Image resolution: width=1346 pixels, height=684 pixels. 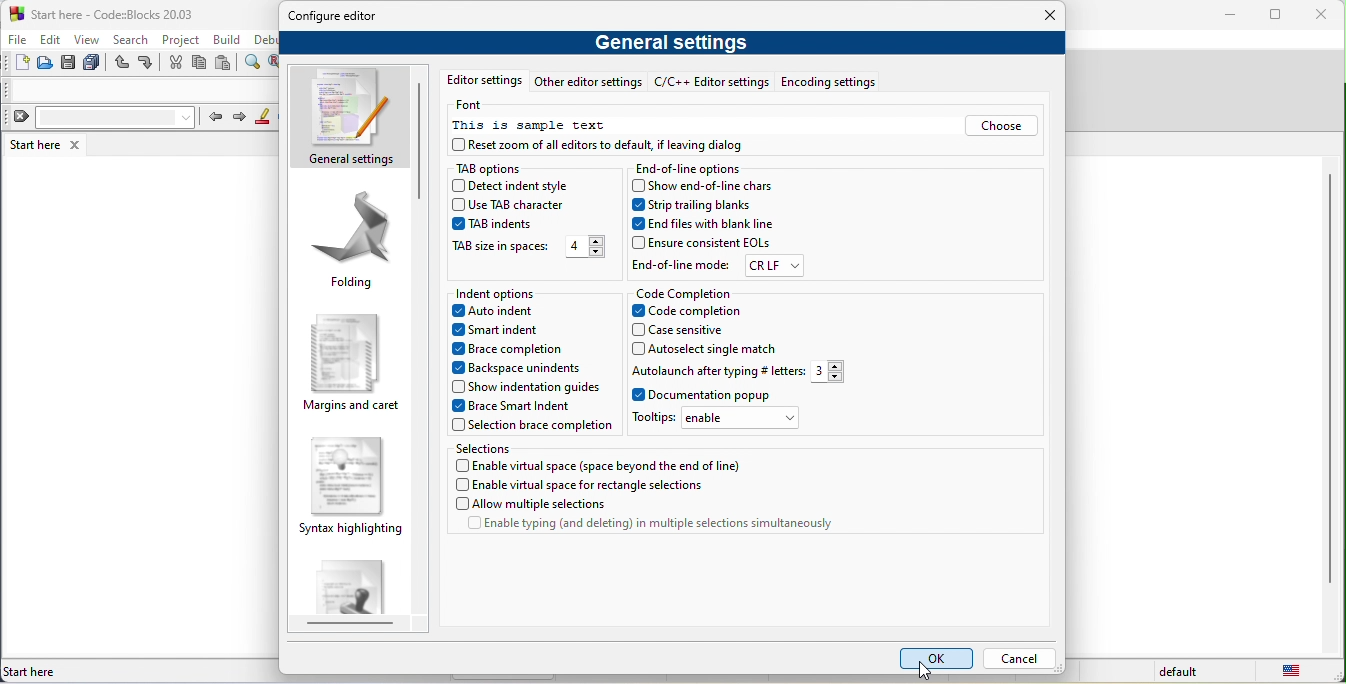 What do you see at coordinates (592, 83) in the screenshot?
I see `other editor settings` at bounding box center [592, 83].